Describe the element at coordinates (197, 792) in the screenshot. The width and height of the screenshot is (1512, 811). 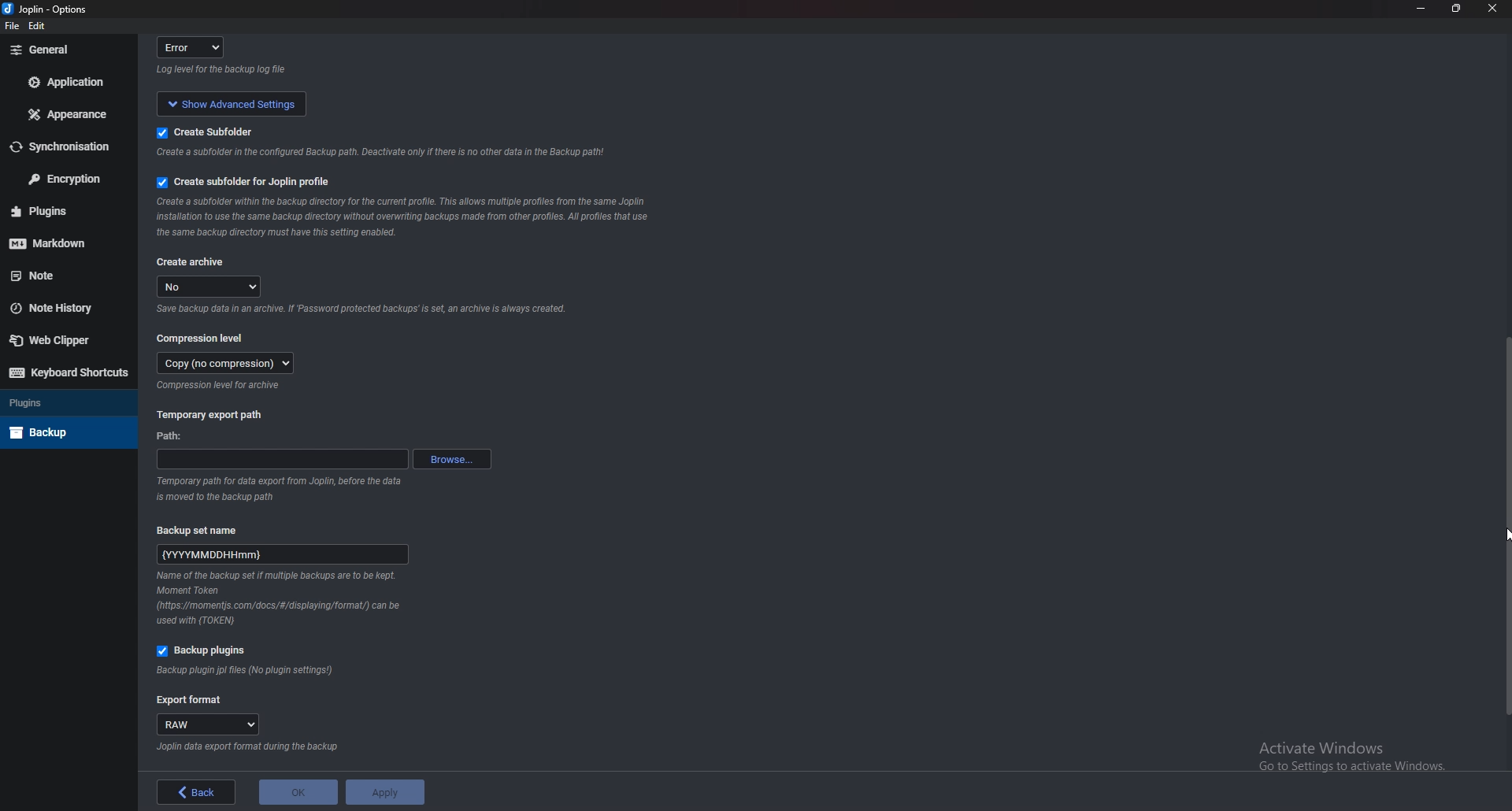
I see `back` at that location.